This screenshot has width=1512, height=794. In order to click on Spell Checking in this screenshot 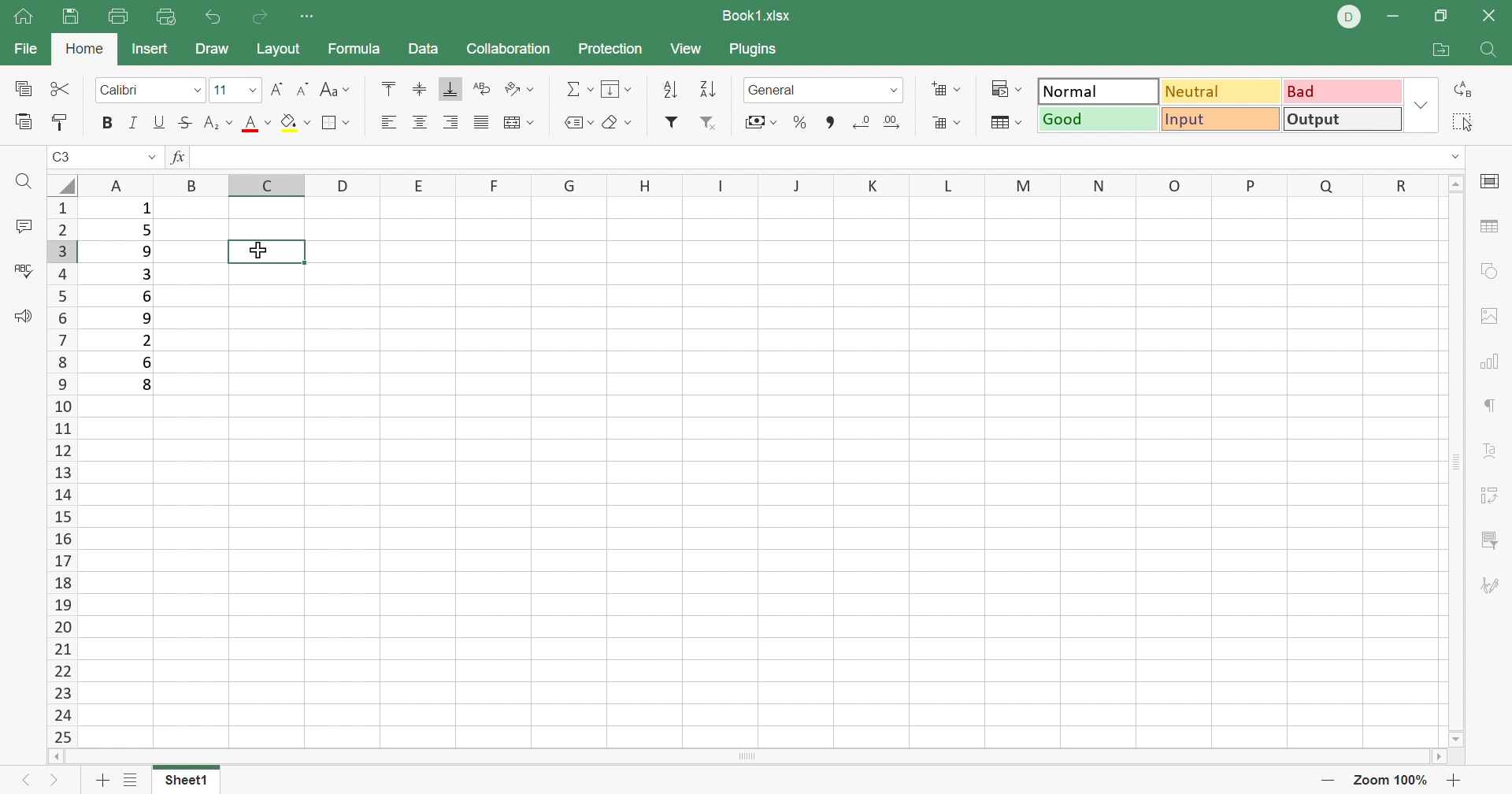, I will do `click(24, 273)`.